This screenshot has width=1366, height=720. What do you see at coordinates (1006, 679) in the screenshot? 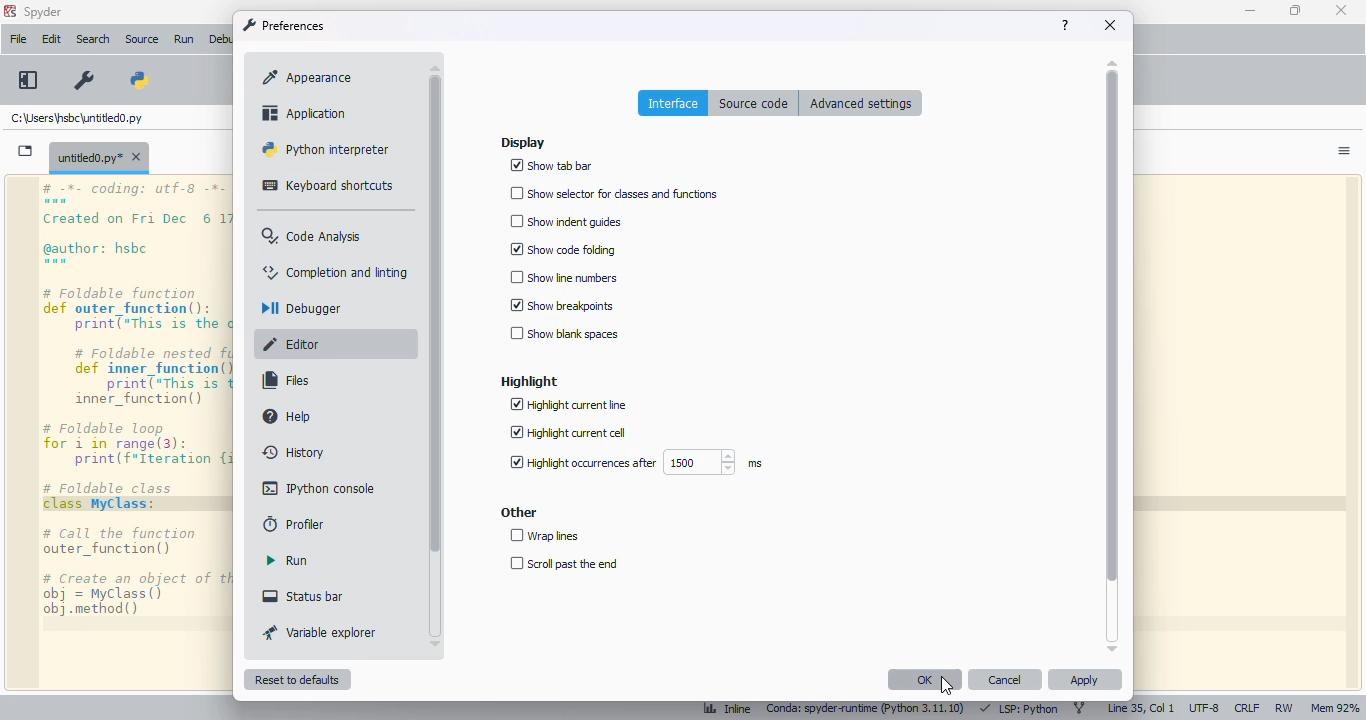
I see `cancel` at bounding box center [1006, 679].